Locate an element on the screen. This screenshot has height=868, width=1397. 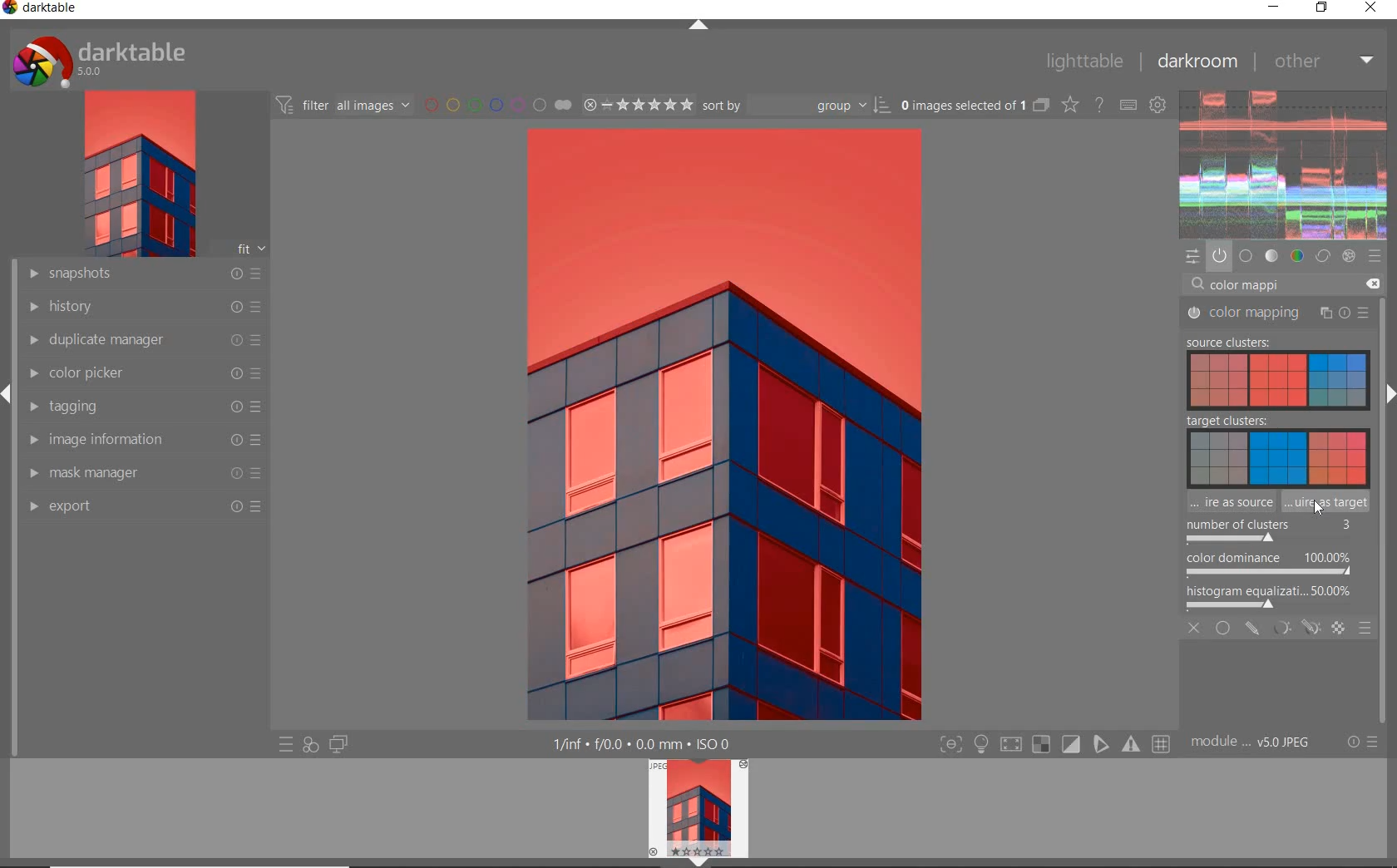
image is located at coordinates (136, 174).